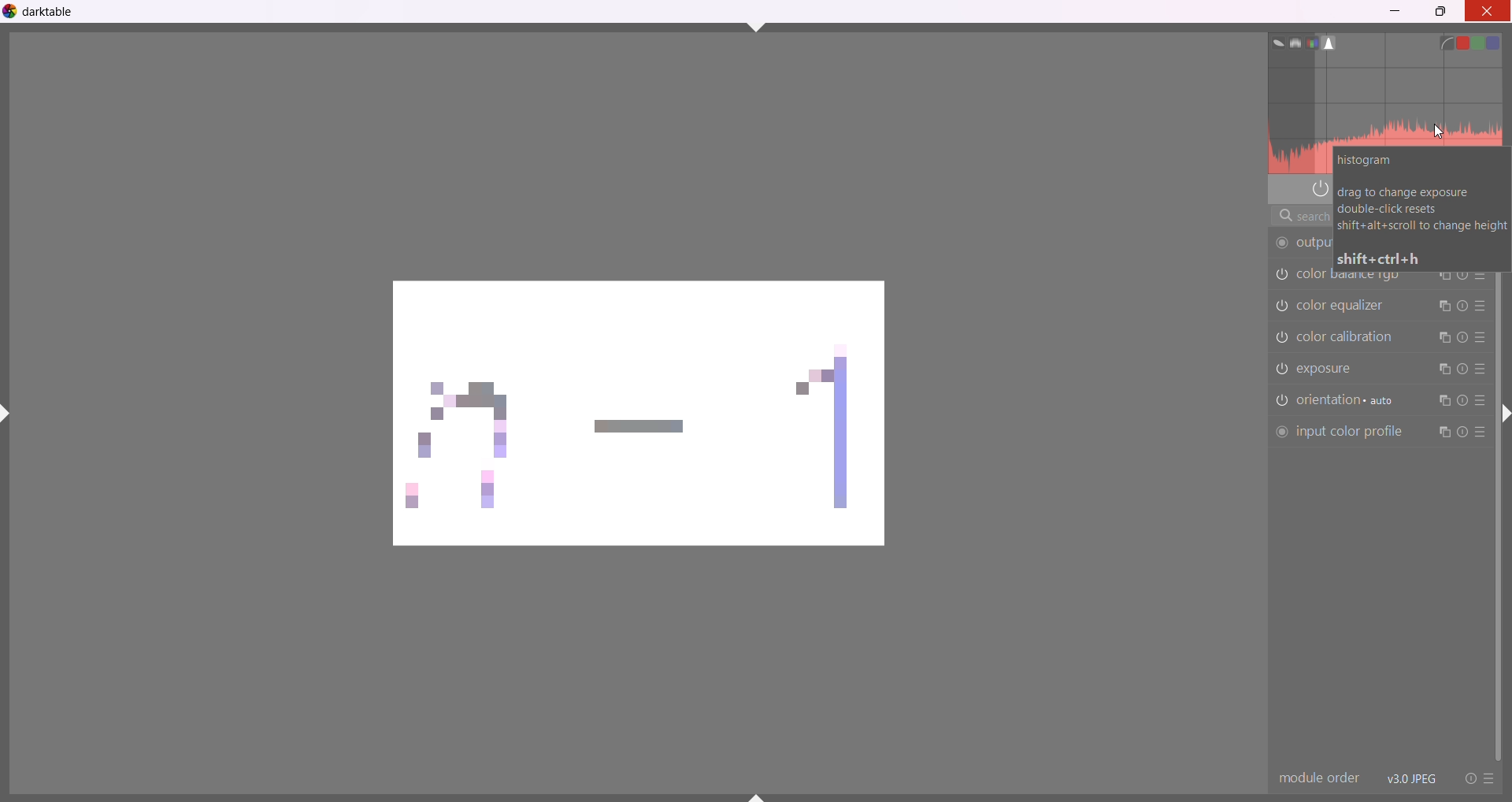 The height and width of the screenshot is (802, 1512). I want to click on presets, so click(1480, 370).